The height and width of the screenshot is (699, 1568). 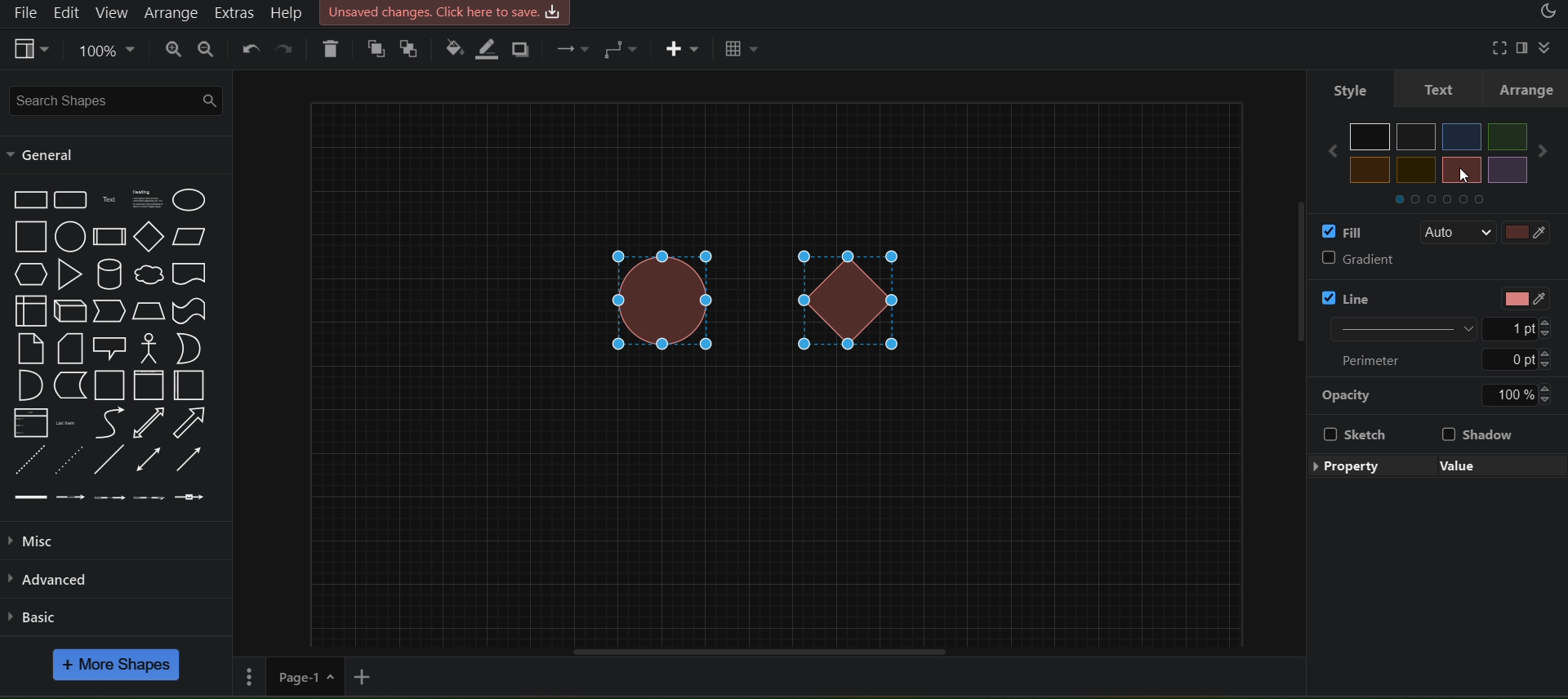 I want to click on fill color, so click(x=452, y=50).